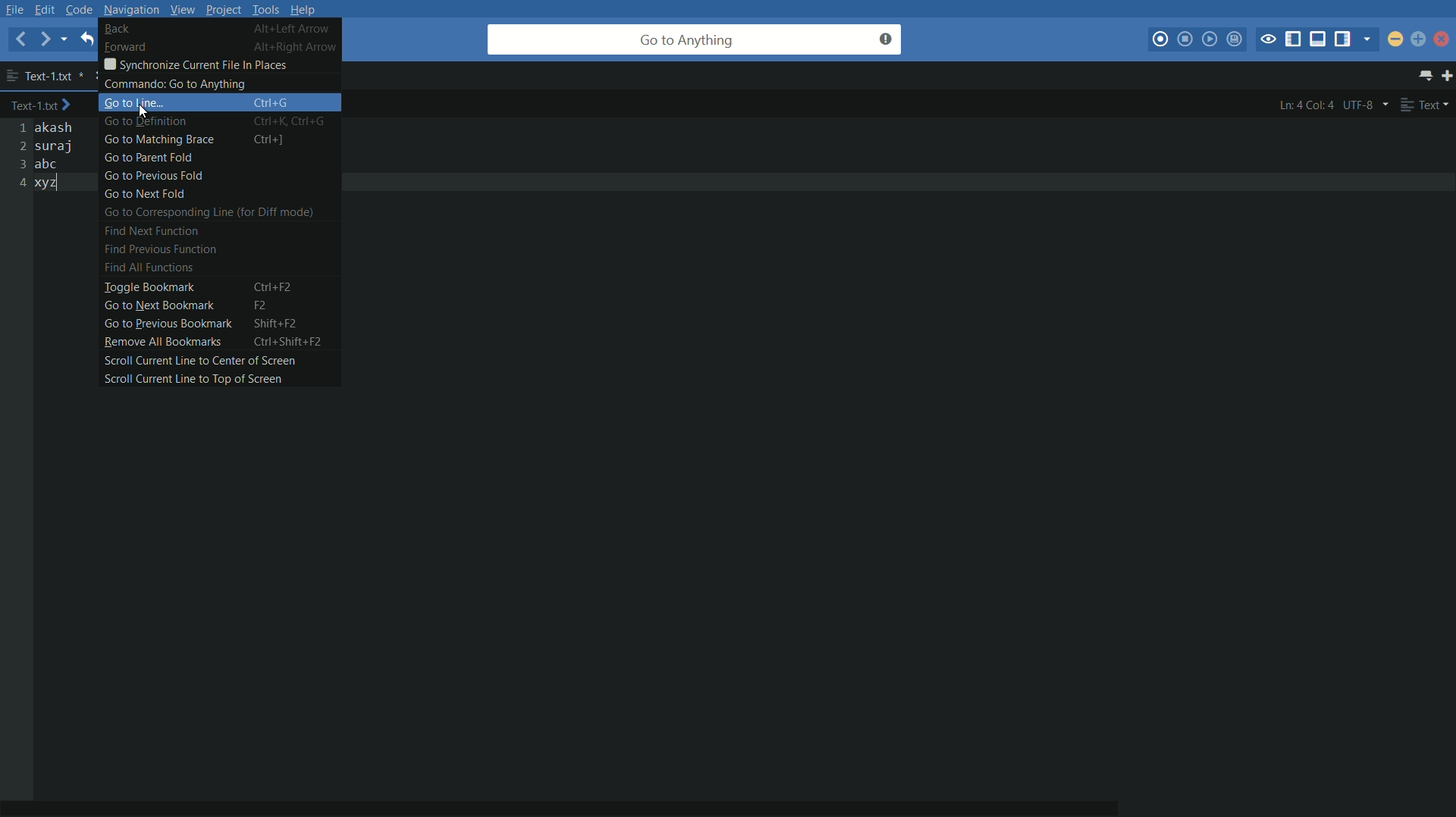 Image resolution: width=1456 pixels, height=817 pixels. Describe the element at coordinates (299, 47) in the screenshot. I see `Alt+Right Arrow ` at that location.